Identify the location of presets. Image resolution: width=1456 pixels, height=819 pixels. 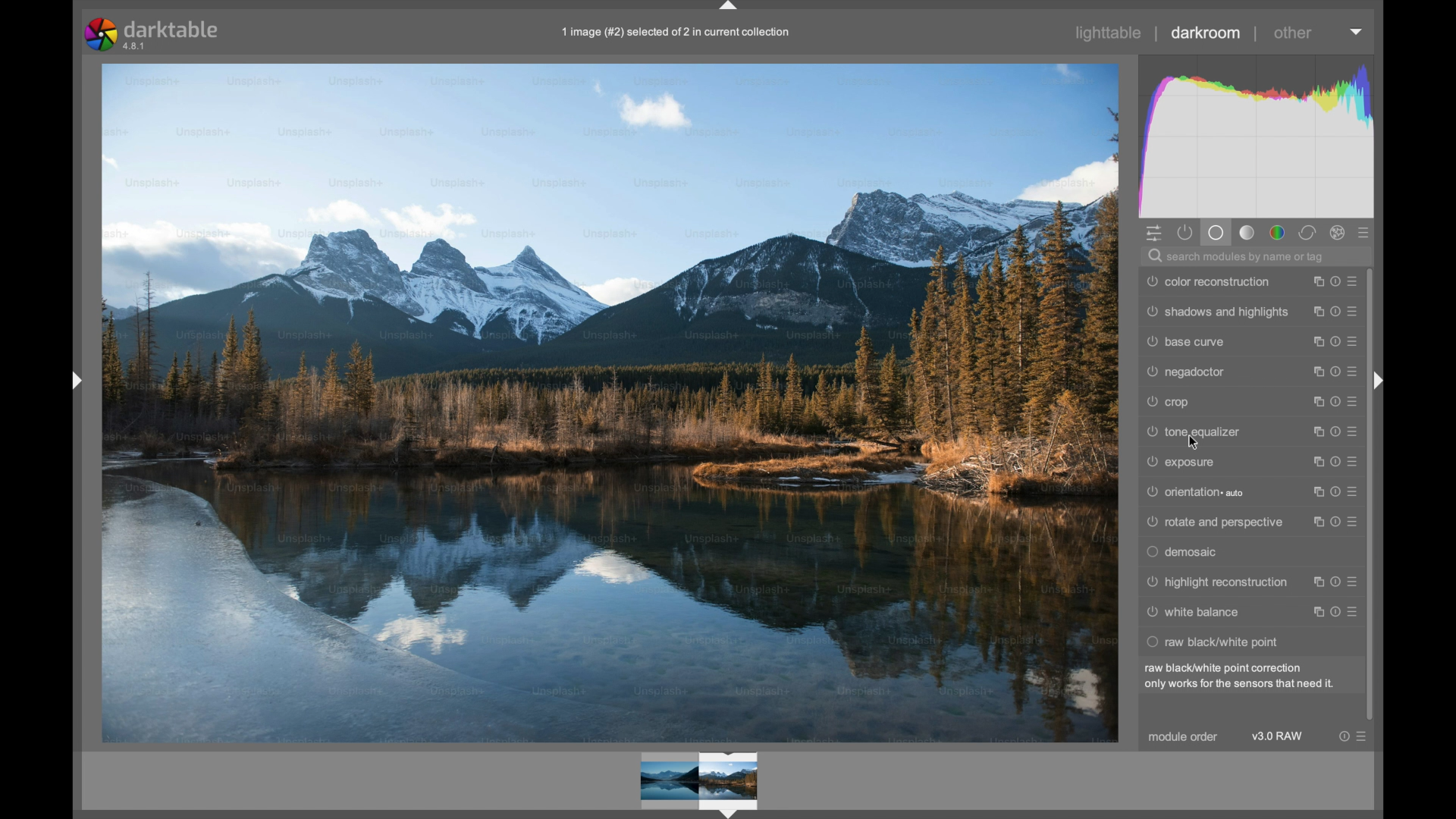
(1357, 371).